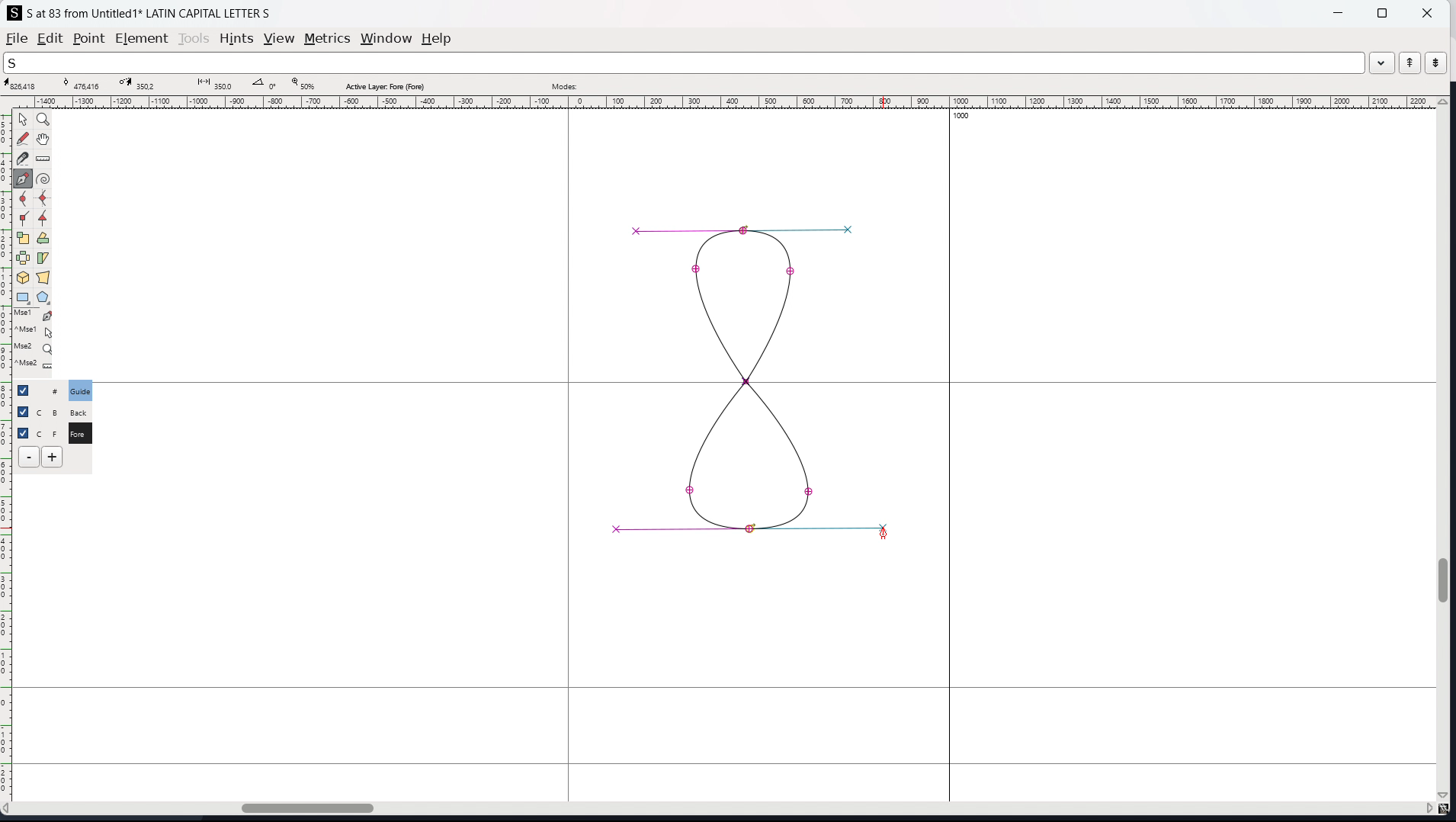  I want to click on ^Mse2, so click(35, 366).